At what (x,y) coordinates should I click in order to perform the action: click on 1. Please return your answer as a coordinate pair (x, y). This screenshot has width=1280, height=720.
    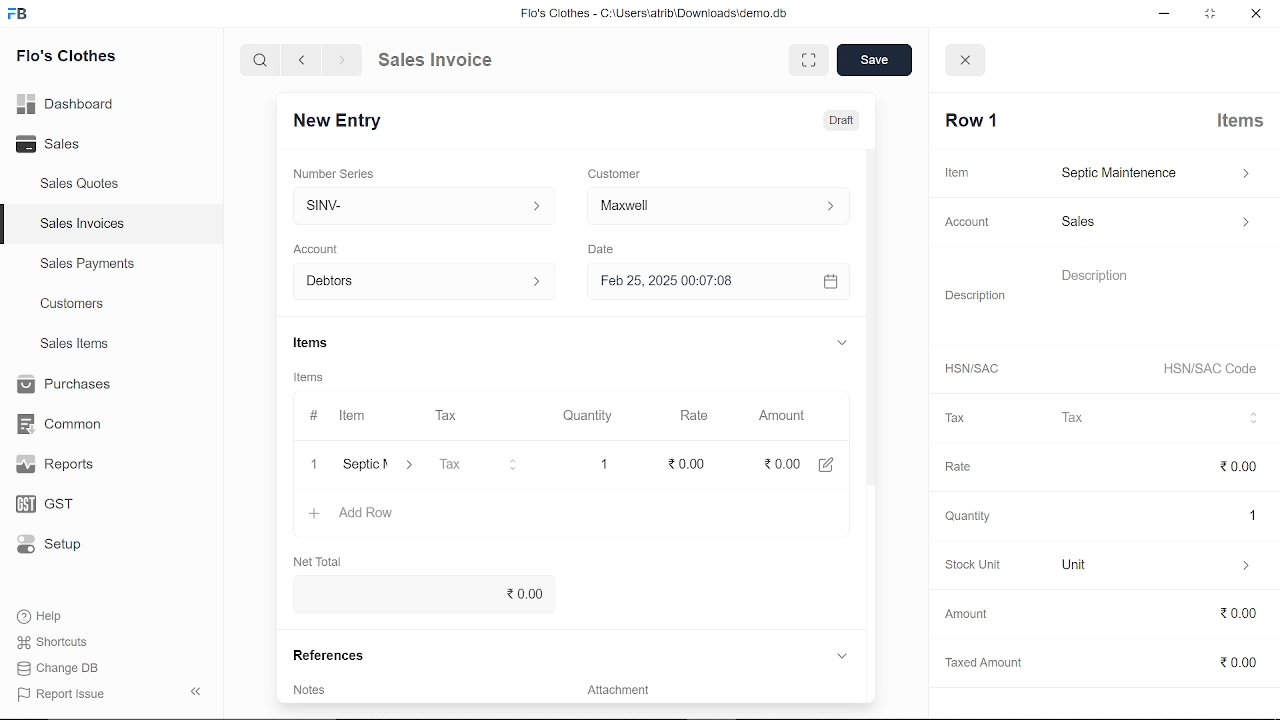
    Looking at the image, I should click on (602, 461).